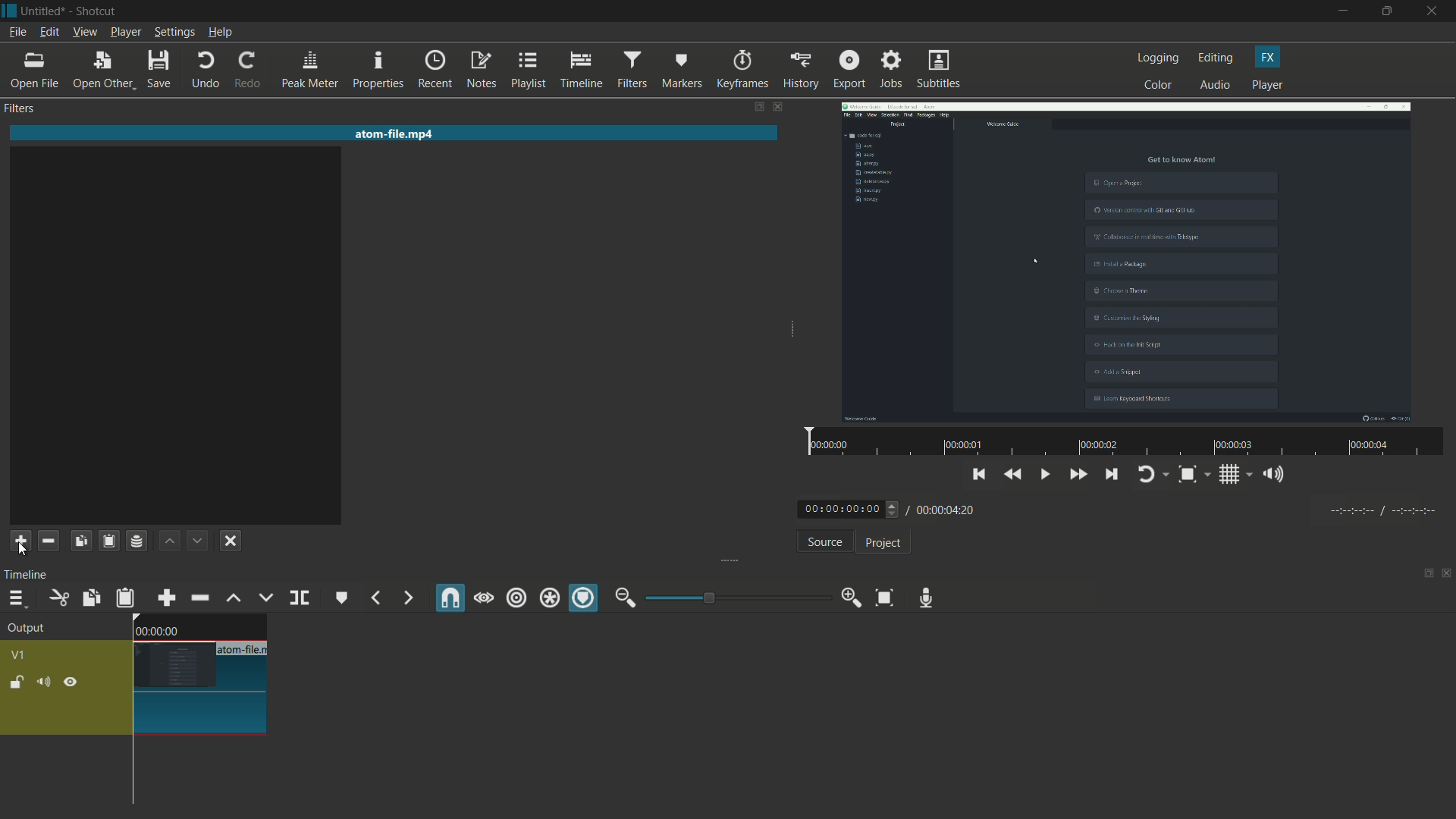  Describe the element at coordinates (1126, 260) in the screenshot. I see `video` at that location.